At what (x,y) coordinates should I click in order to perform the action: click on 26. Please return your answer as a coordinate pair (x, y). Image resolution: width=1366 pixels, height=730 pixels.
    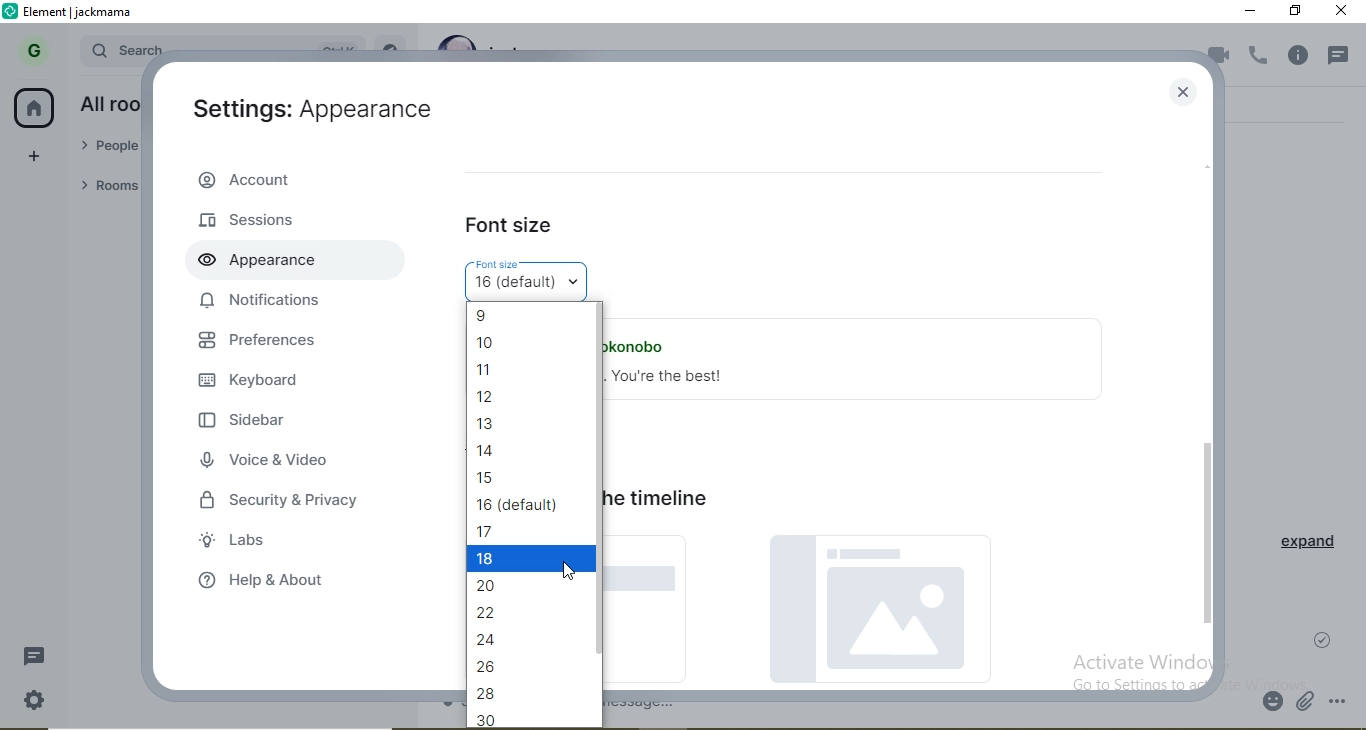
    Looking at the image, I should click on (522, 664).